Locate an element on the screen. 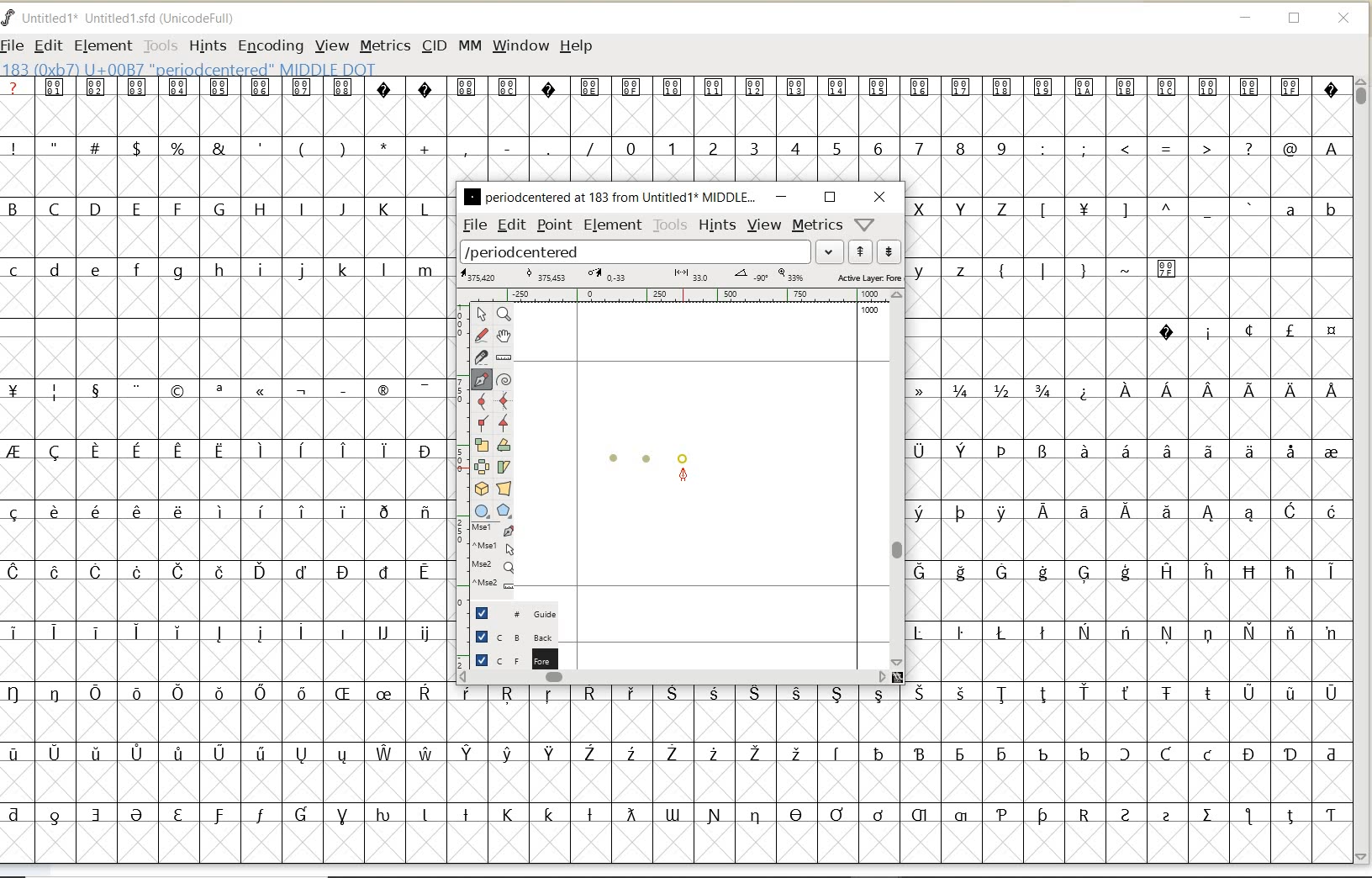 Image resolution: width=1372 pixels, height=878 pixels. scale is located at coordinates (458, 443).